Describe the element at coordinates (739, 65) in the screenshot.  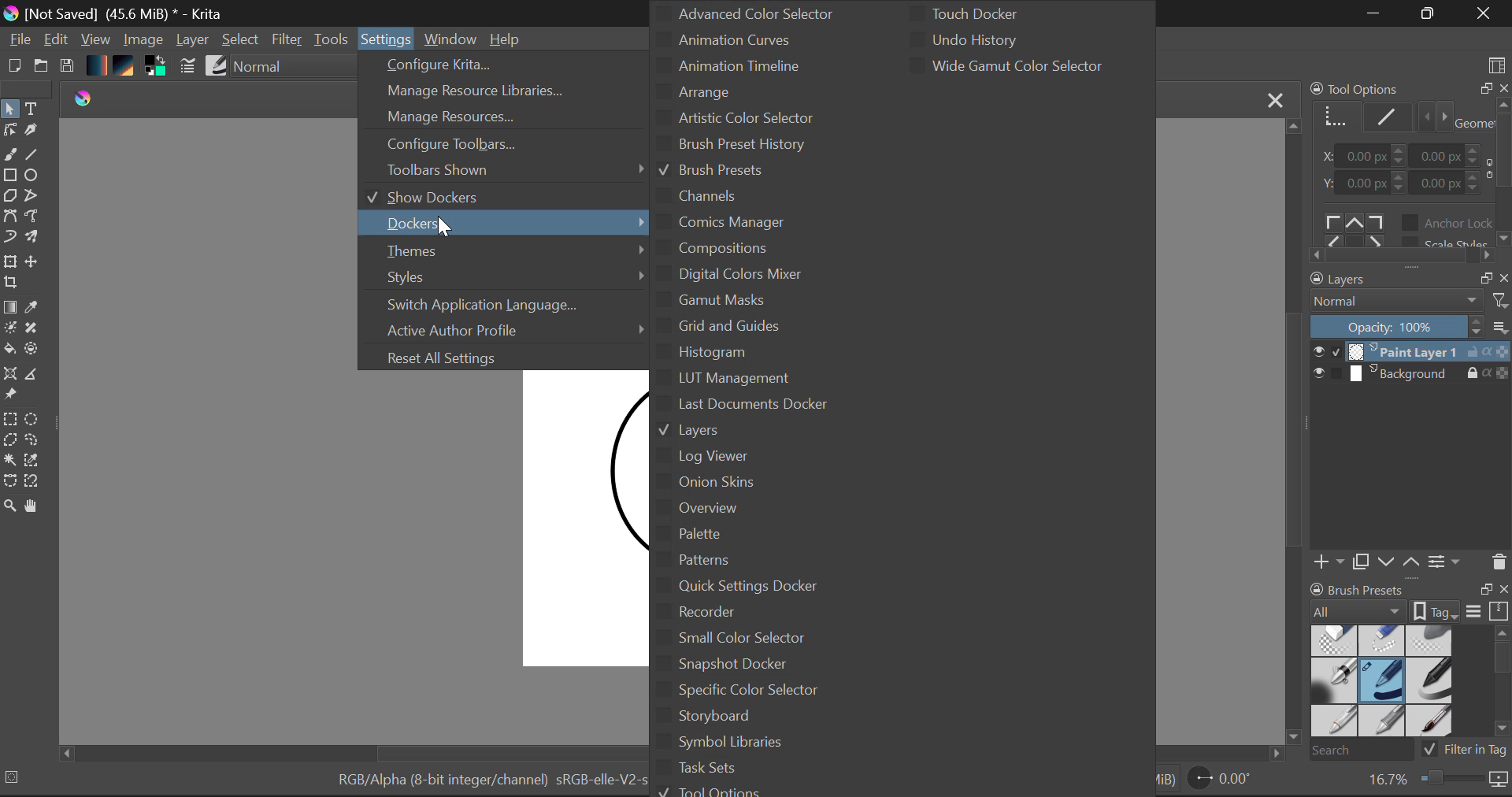
I see `Animation Timeline` at that location.